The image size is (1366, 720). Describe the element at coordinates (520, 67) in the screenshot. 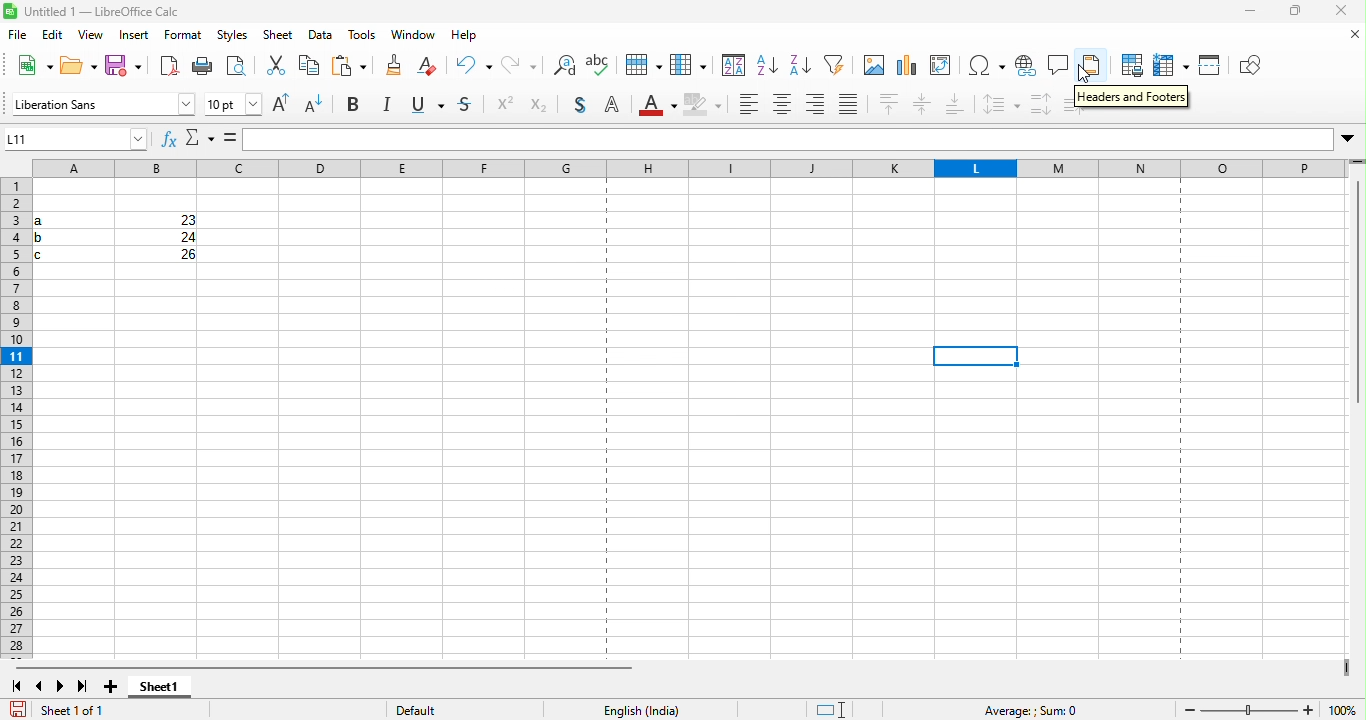

I see `find and replace` at that location.